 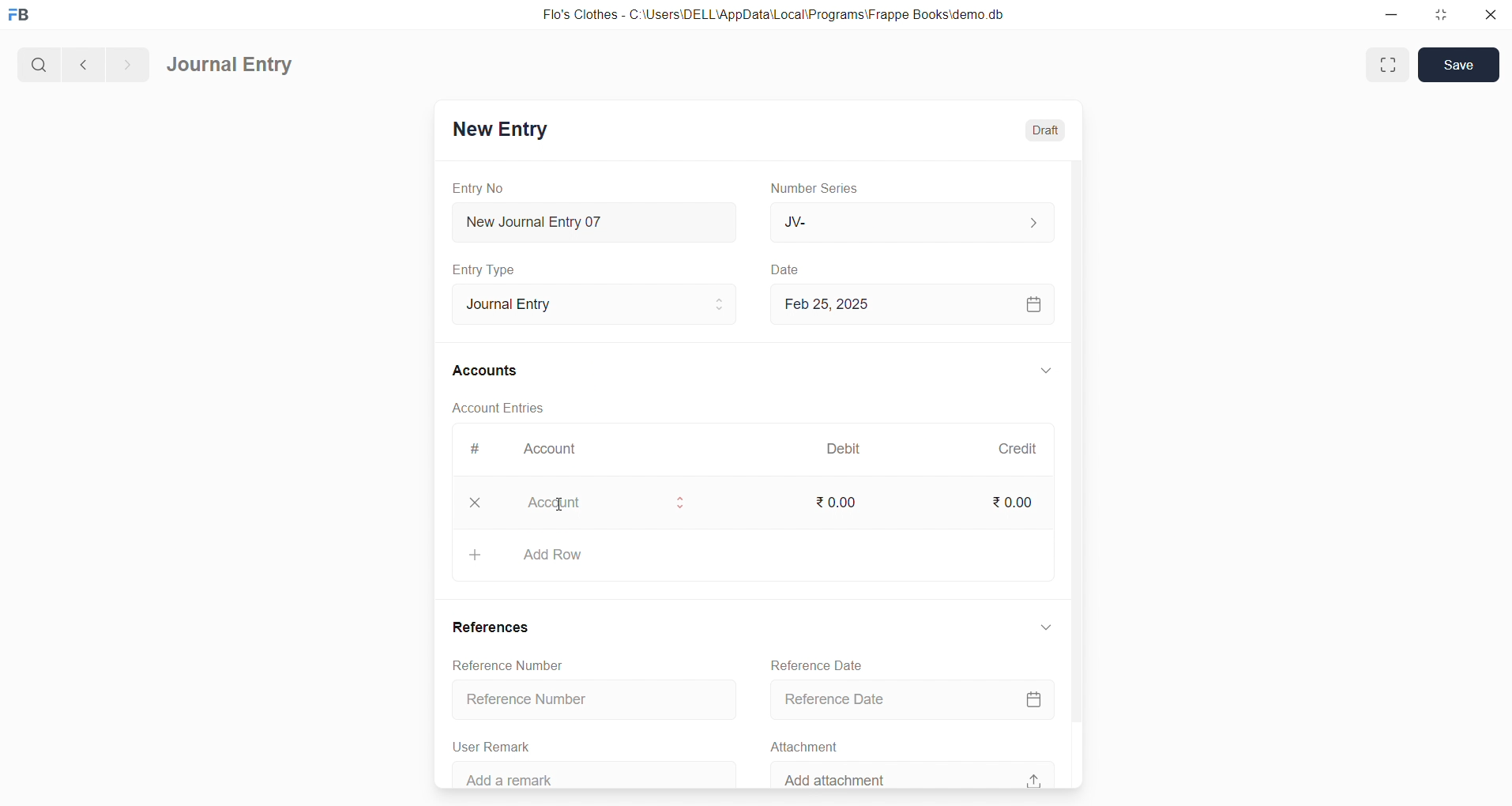 What do you see at coordinates (615, 502) in the screenshot?
I see `Account` at bounding box center [615, 502].